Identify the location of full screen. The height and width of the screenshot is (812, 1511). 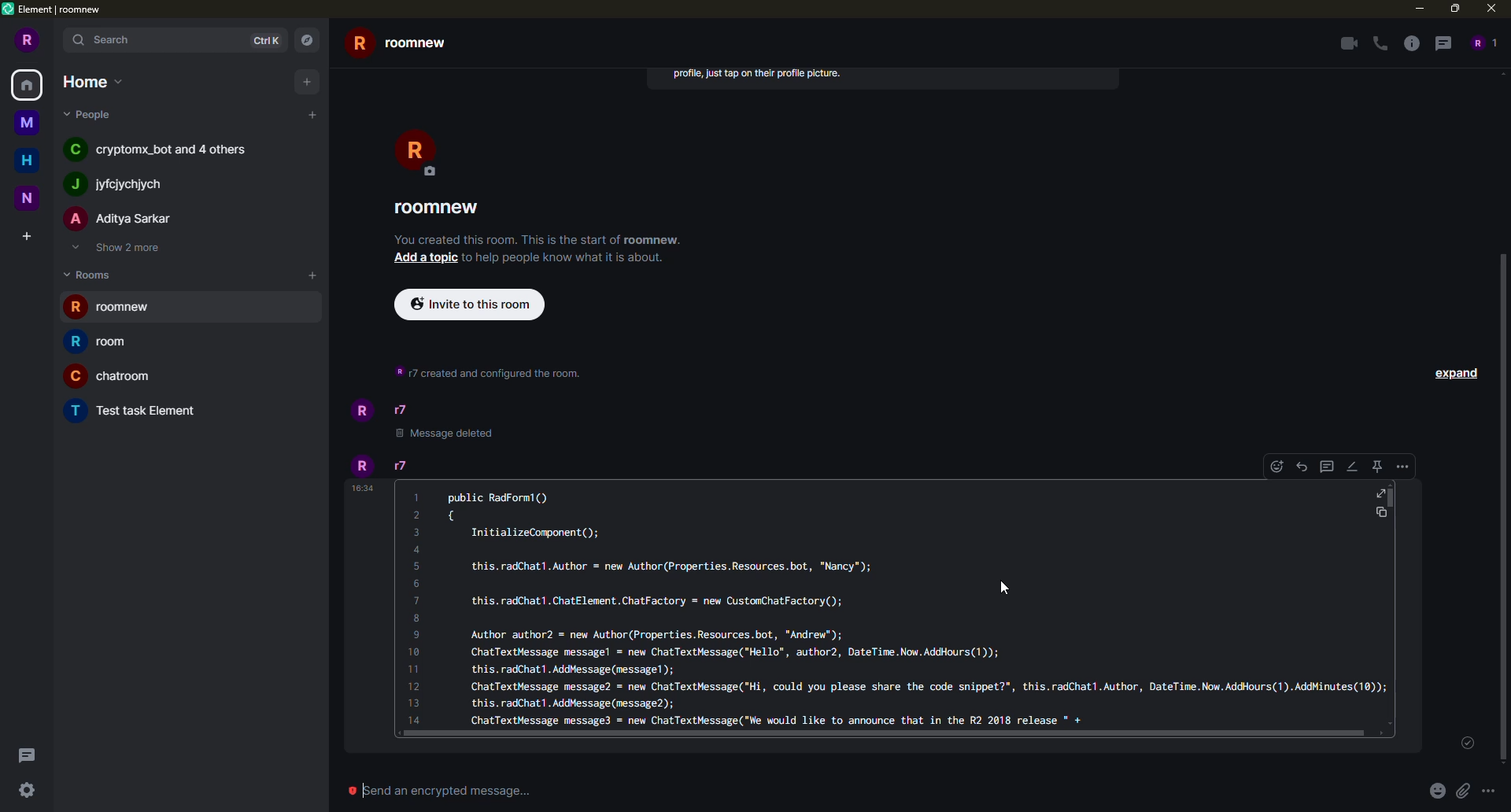
(1381, 493).